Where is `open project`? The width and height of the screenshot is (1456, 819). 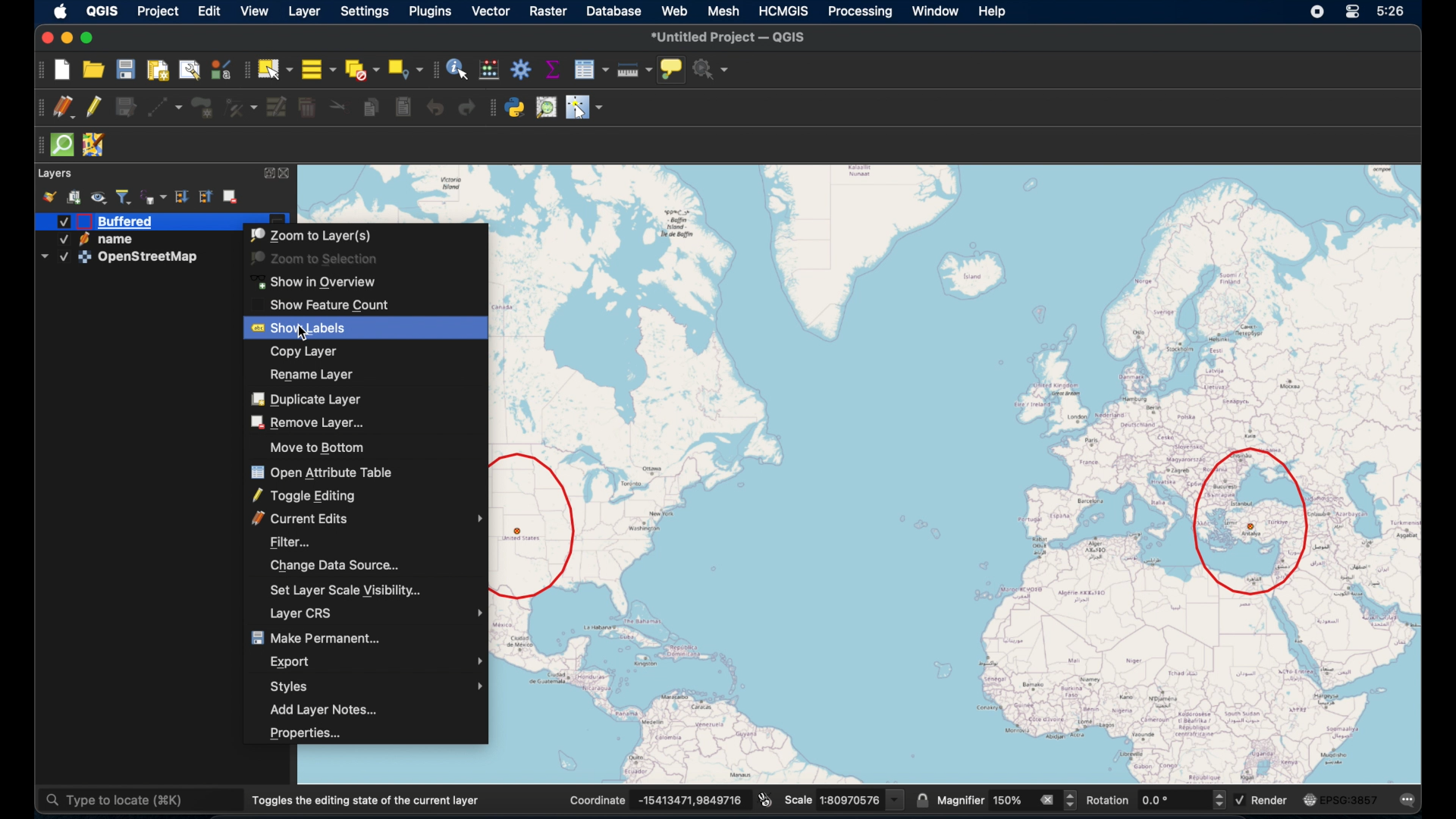
open project is located at coordinates (94, 71).